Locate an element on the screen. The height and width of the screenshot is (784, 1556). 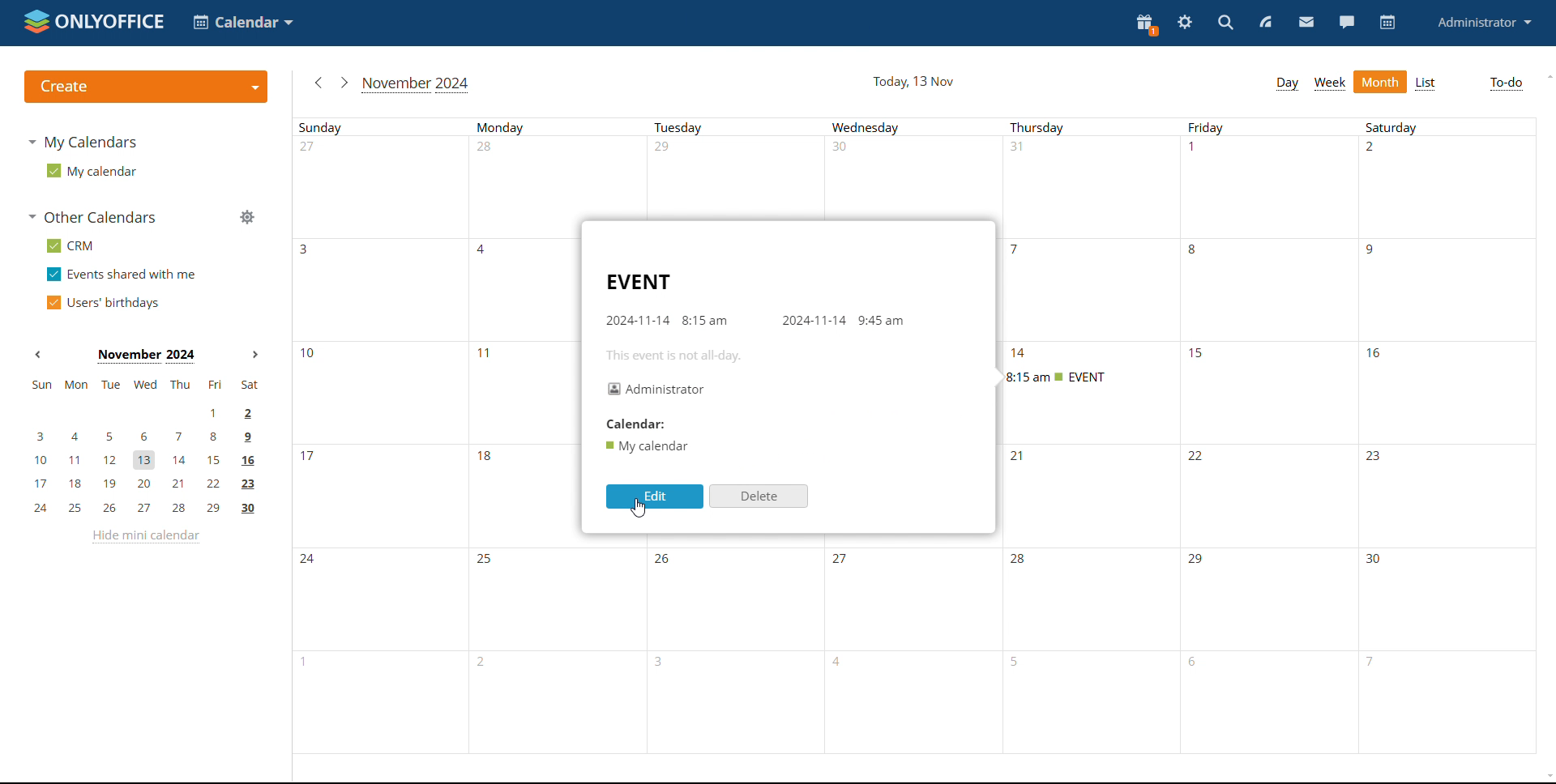
events shared with me is located at coordinates (120, 275).